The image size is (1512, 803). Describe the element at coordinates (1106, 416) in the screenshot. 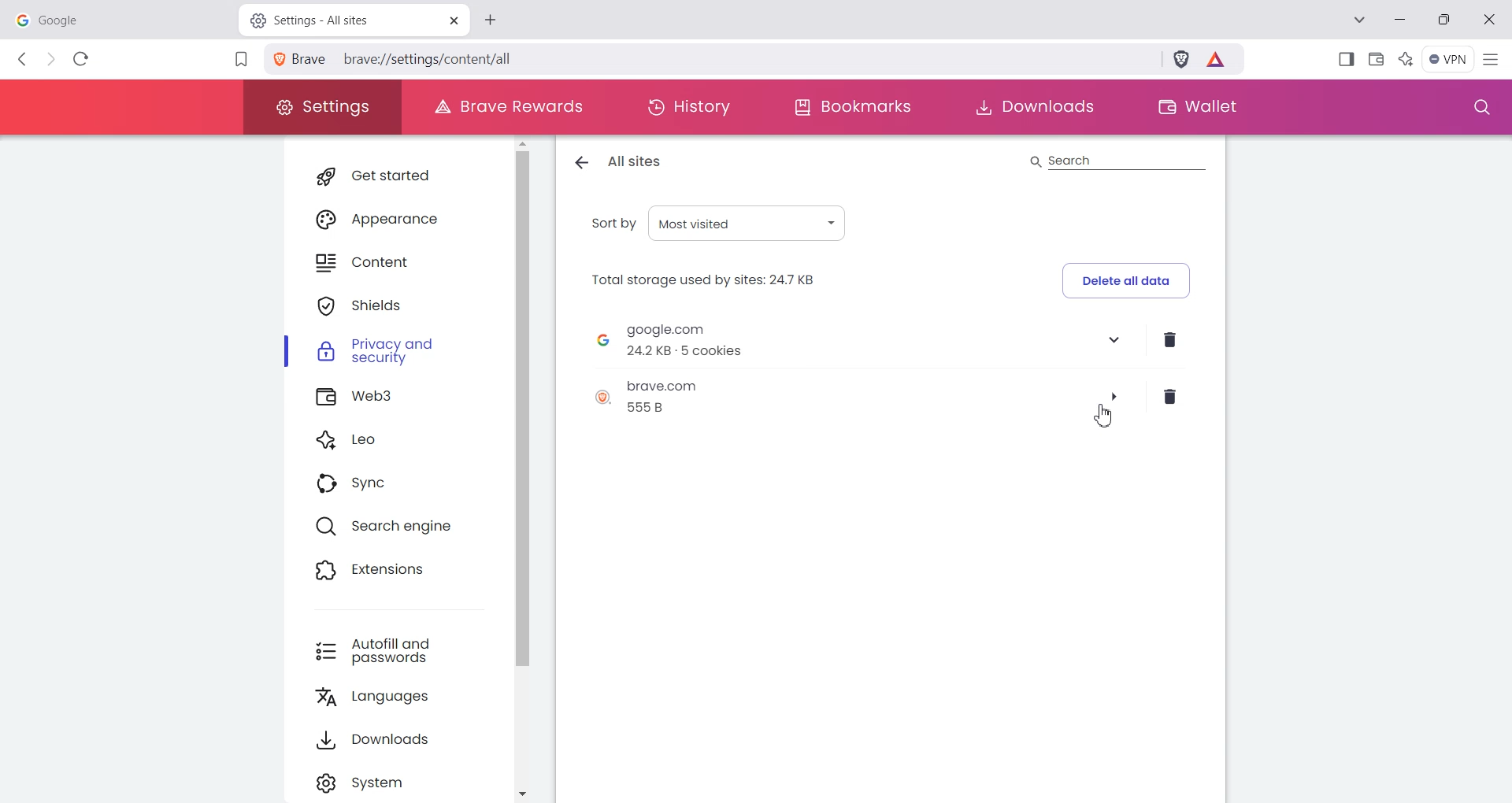

I see `Cursor` at that location.